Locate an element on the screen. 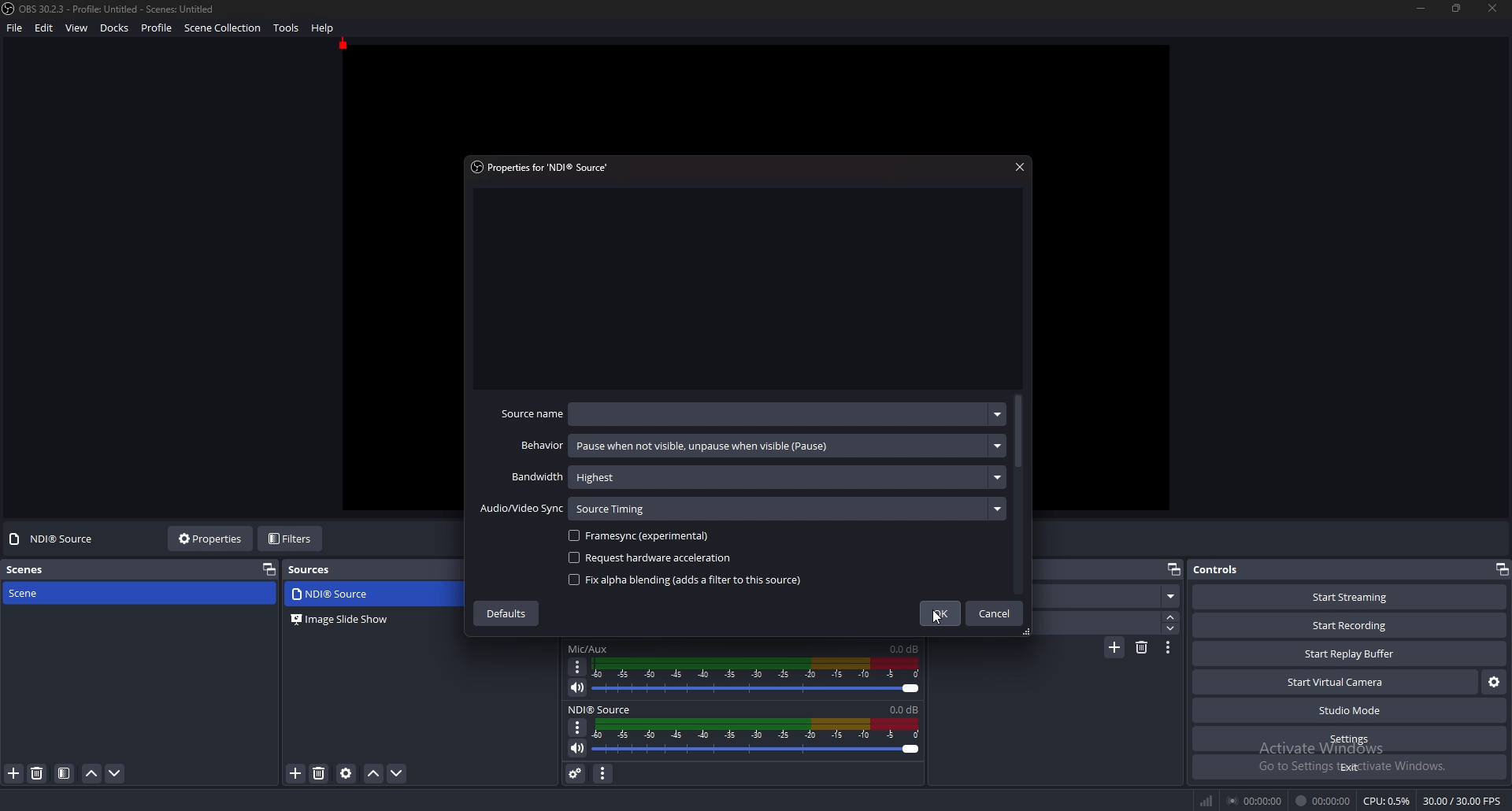 The image size is (1512, 811). fix alpha blending is located at coordinates (684, 578).